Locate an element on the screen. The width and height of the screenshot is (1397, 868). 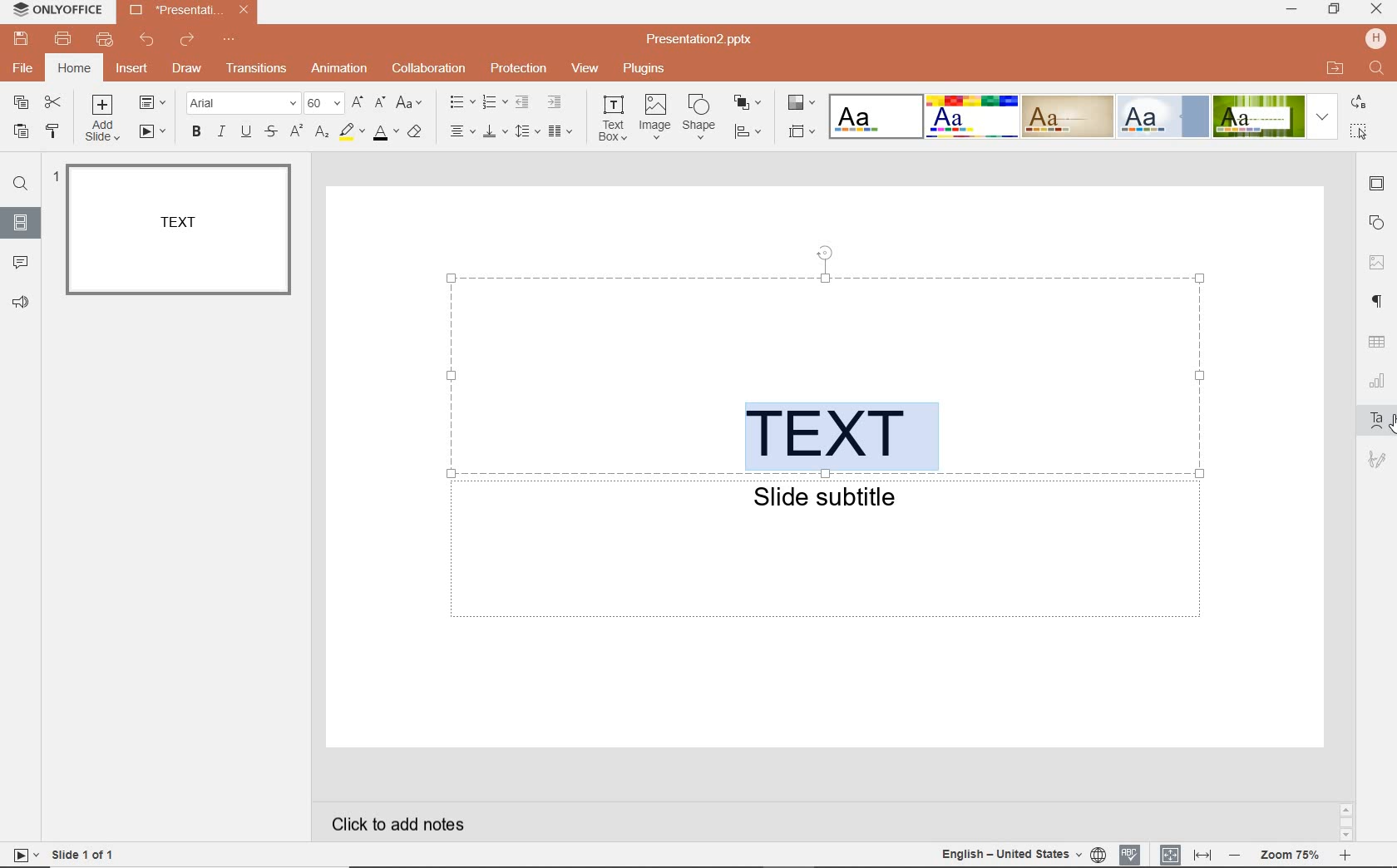
FONT is located at coordinates (245, 102).